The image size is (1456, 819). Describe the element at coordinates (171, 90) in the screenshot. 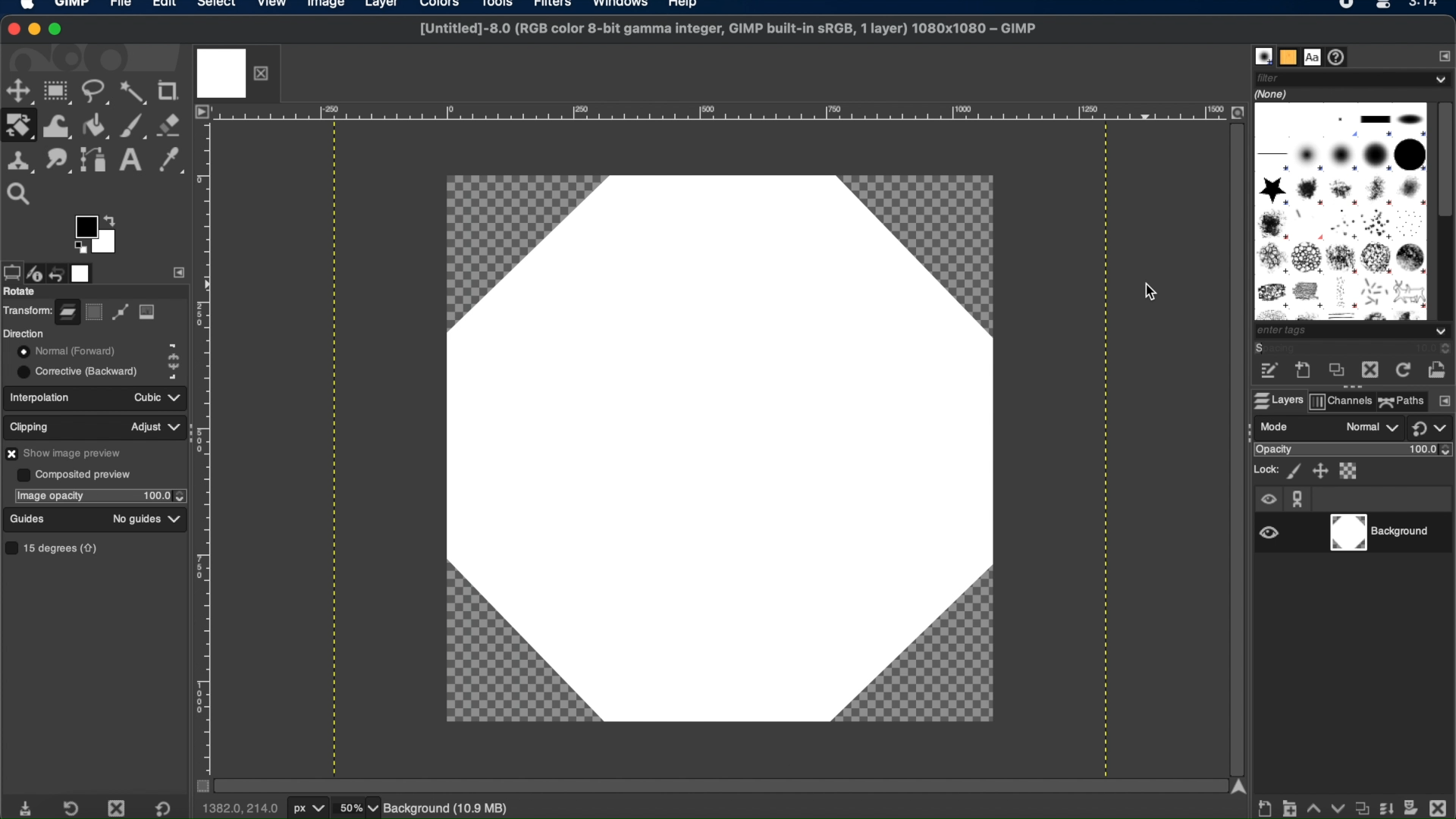

I see `crop tool` at that location.